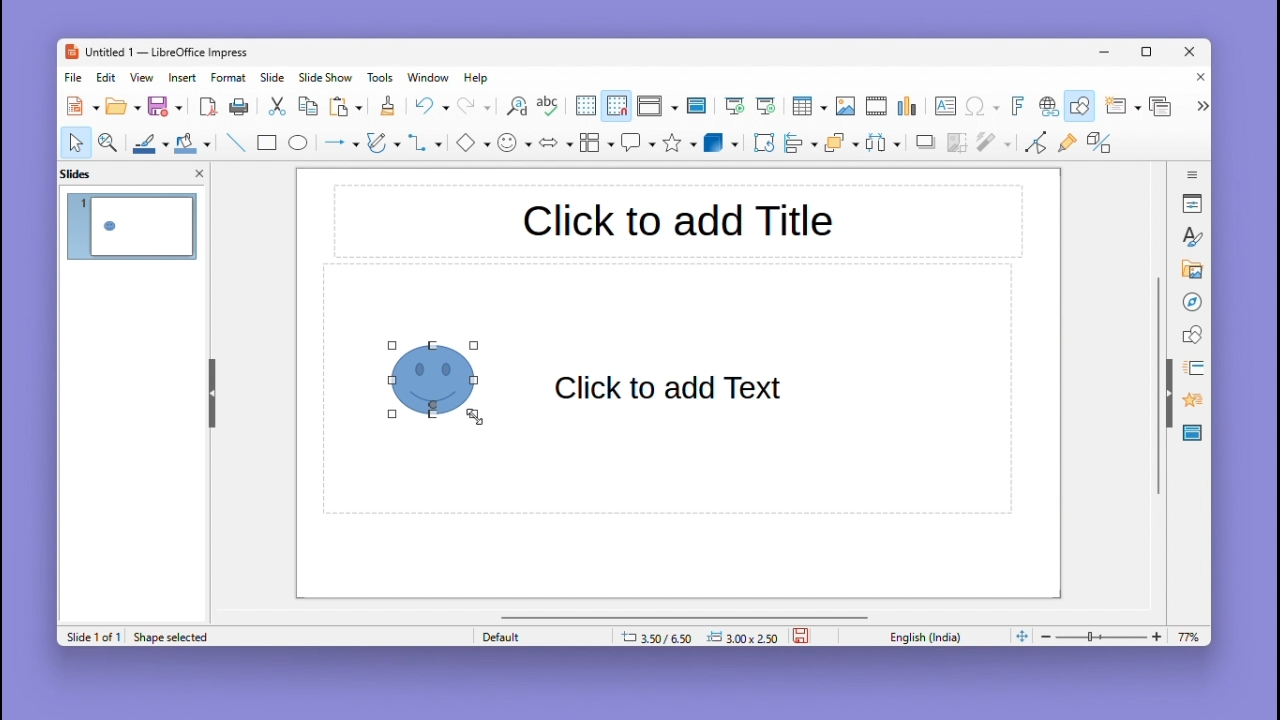 The width and height of the screenshot is (1280, 720). What do you see at coordinates (1150, 55) in the screenshot?
I see `Maximize` at bounding box center [1150, 55].